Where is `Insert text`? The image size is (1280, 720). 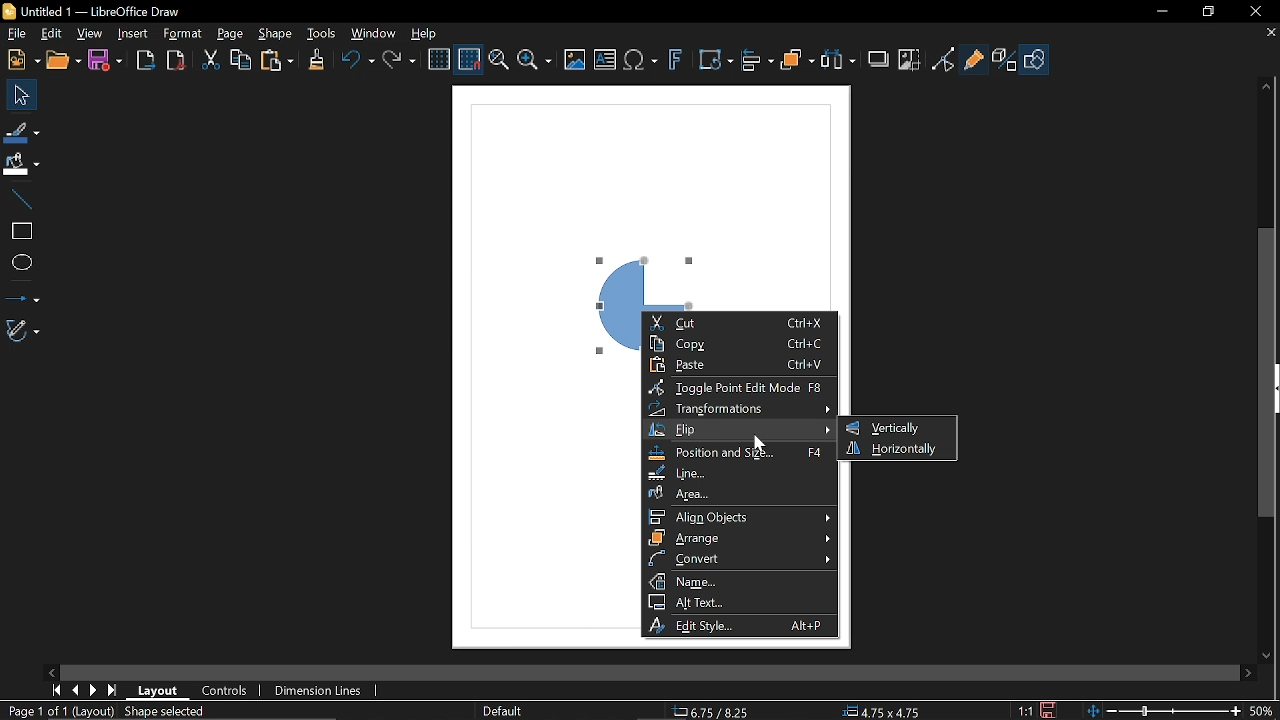
Insert text is located at coordinates (605, 61).